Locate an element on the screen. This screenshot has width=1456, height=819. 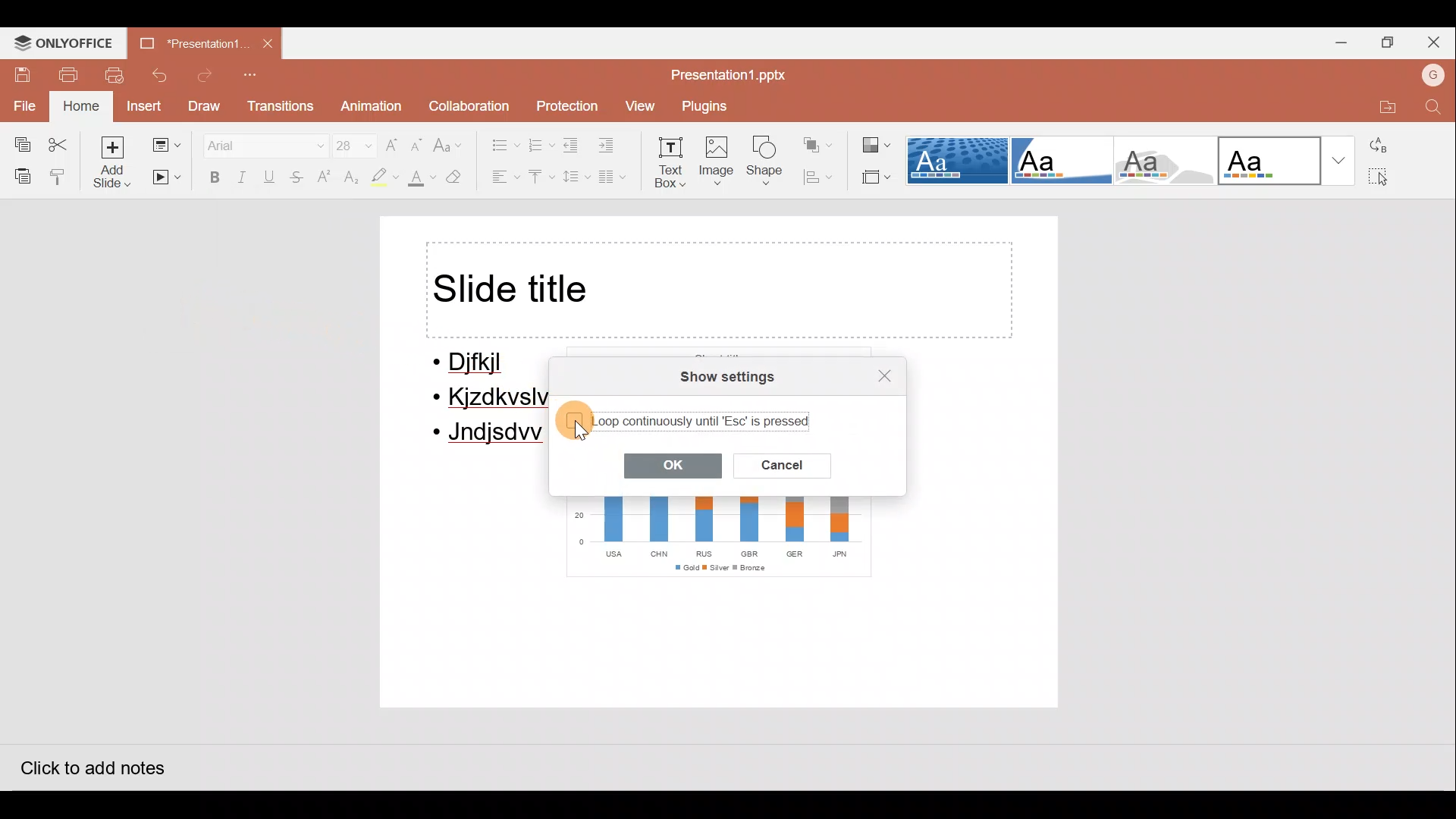
Copy style is located at coordinates (65, 176).